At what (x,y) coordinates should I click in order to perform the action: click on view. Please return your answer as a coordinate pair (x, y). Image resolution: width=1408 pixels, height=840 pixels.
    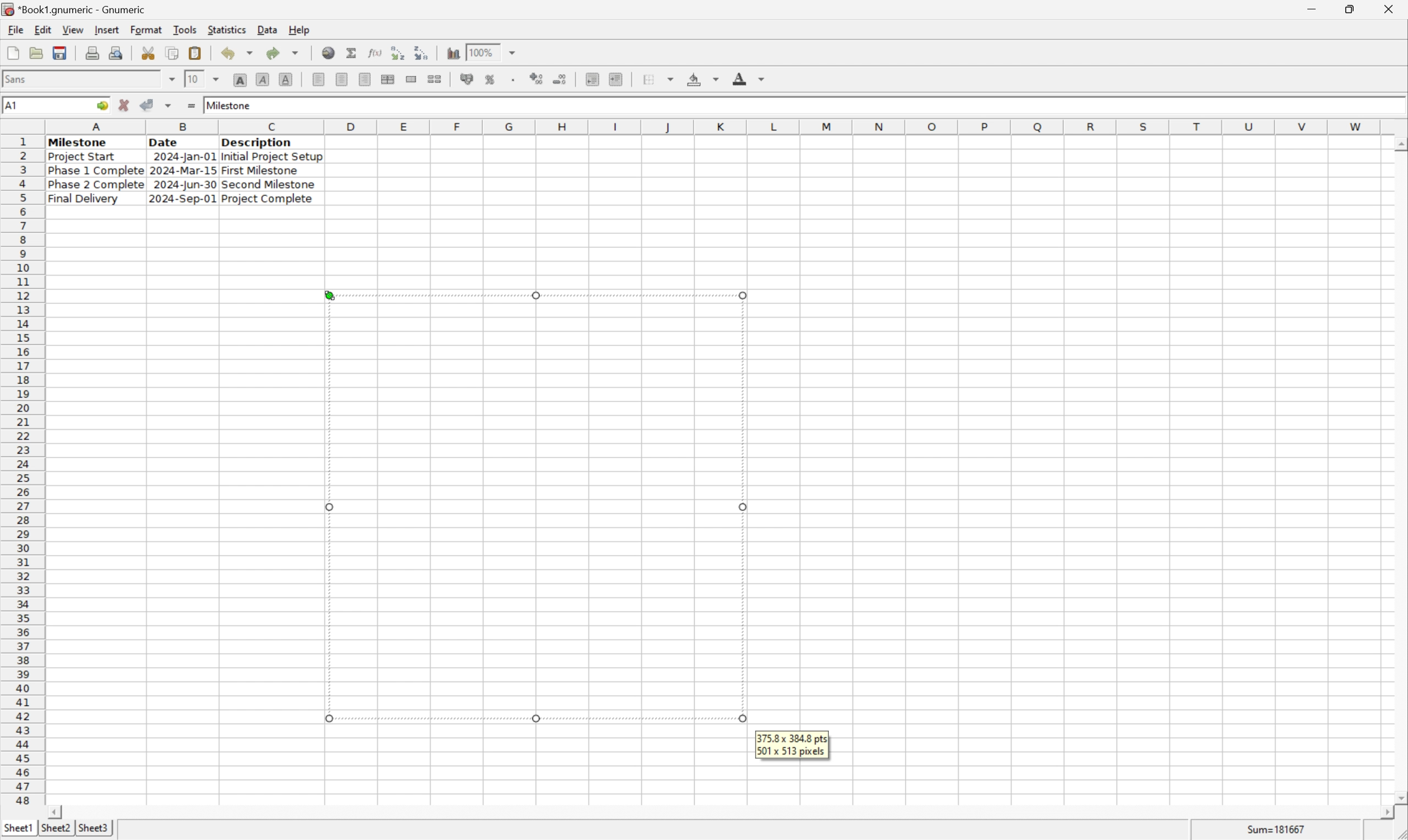
    Looking at the image, I should click on (72, 30).